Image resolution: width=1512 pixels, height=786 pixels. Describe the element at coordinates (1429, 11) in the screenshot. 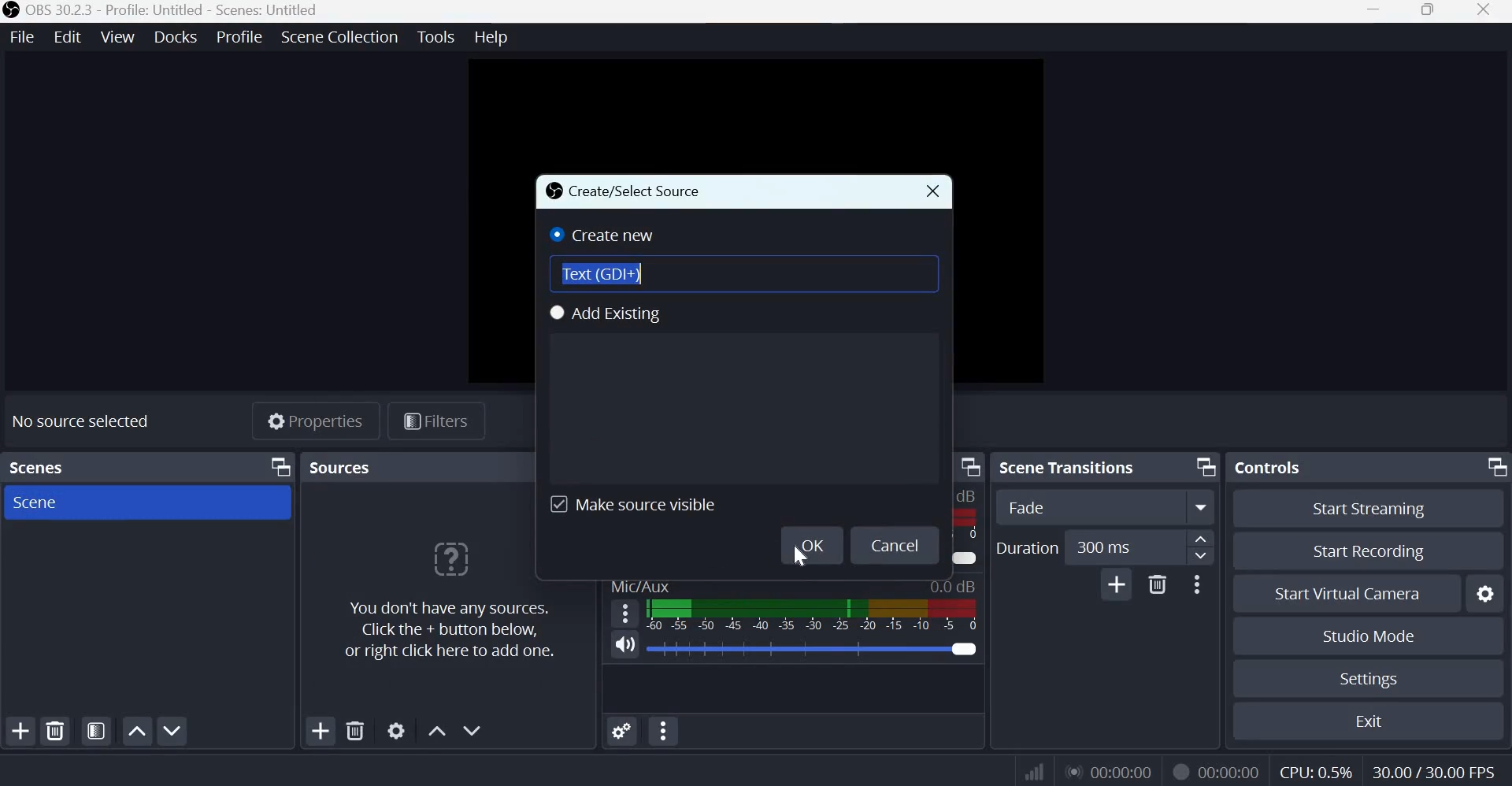

I see `Window size toggle` at that location.